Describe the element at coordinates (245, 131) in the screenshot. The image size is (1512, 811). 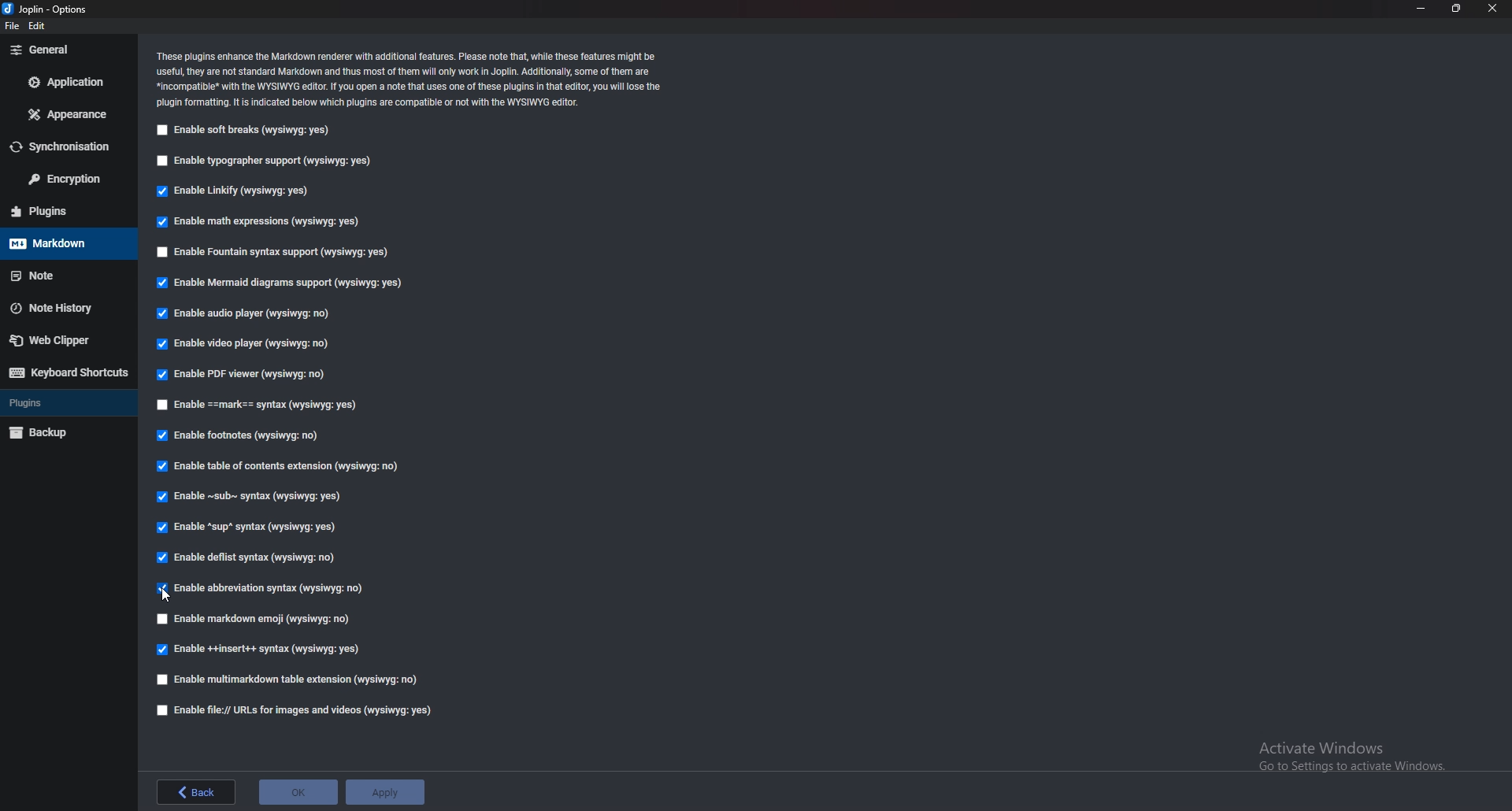
I see `Enable soft breaks` at that location.